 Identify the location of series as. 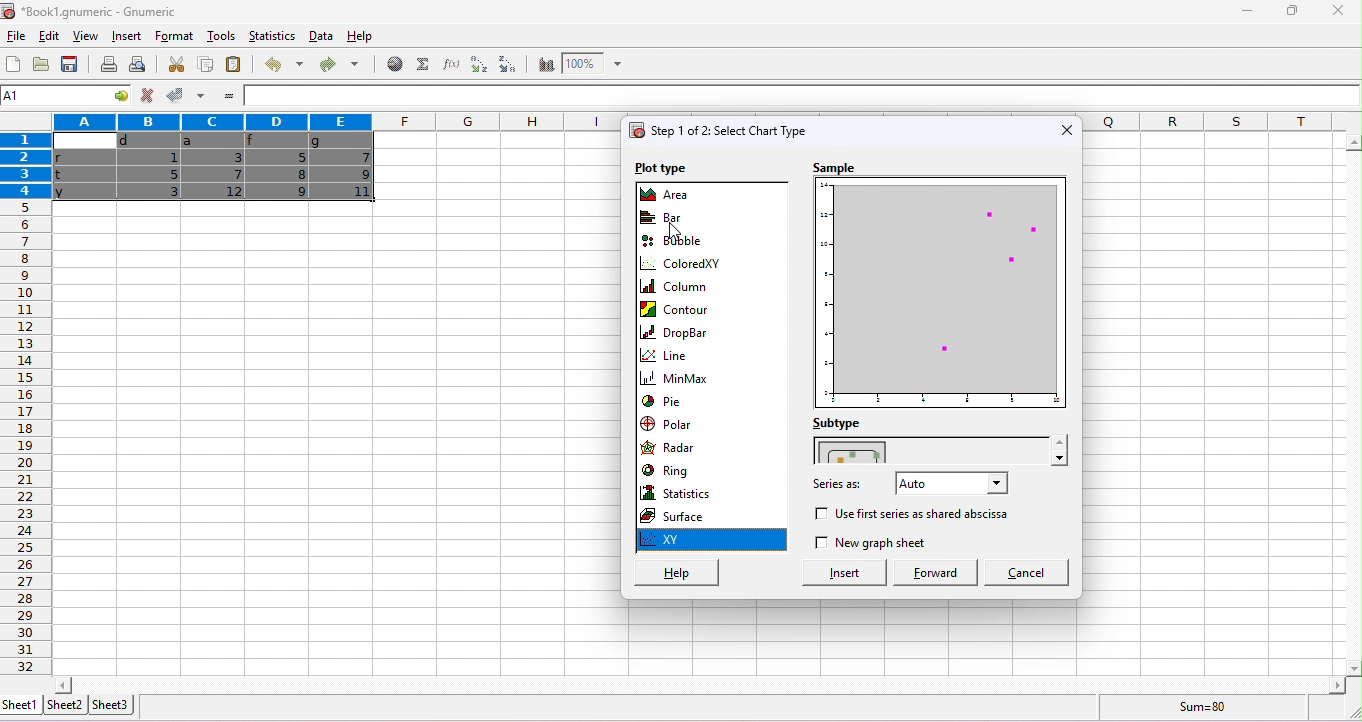
(839, 486).